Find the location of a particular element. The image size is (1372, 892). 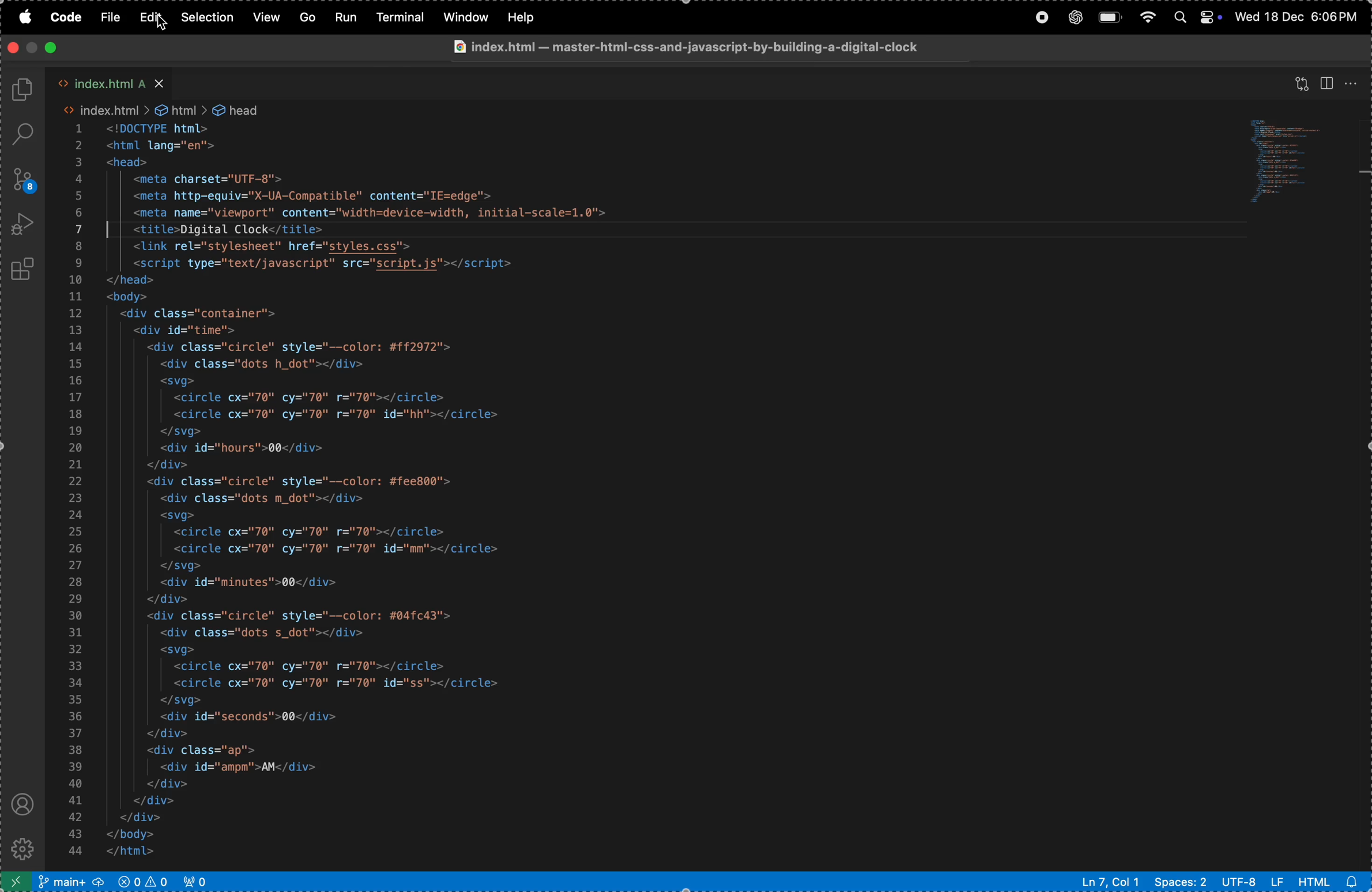

main repo is located at coordinates (70, 882).